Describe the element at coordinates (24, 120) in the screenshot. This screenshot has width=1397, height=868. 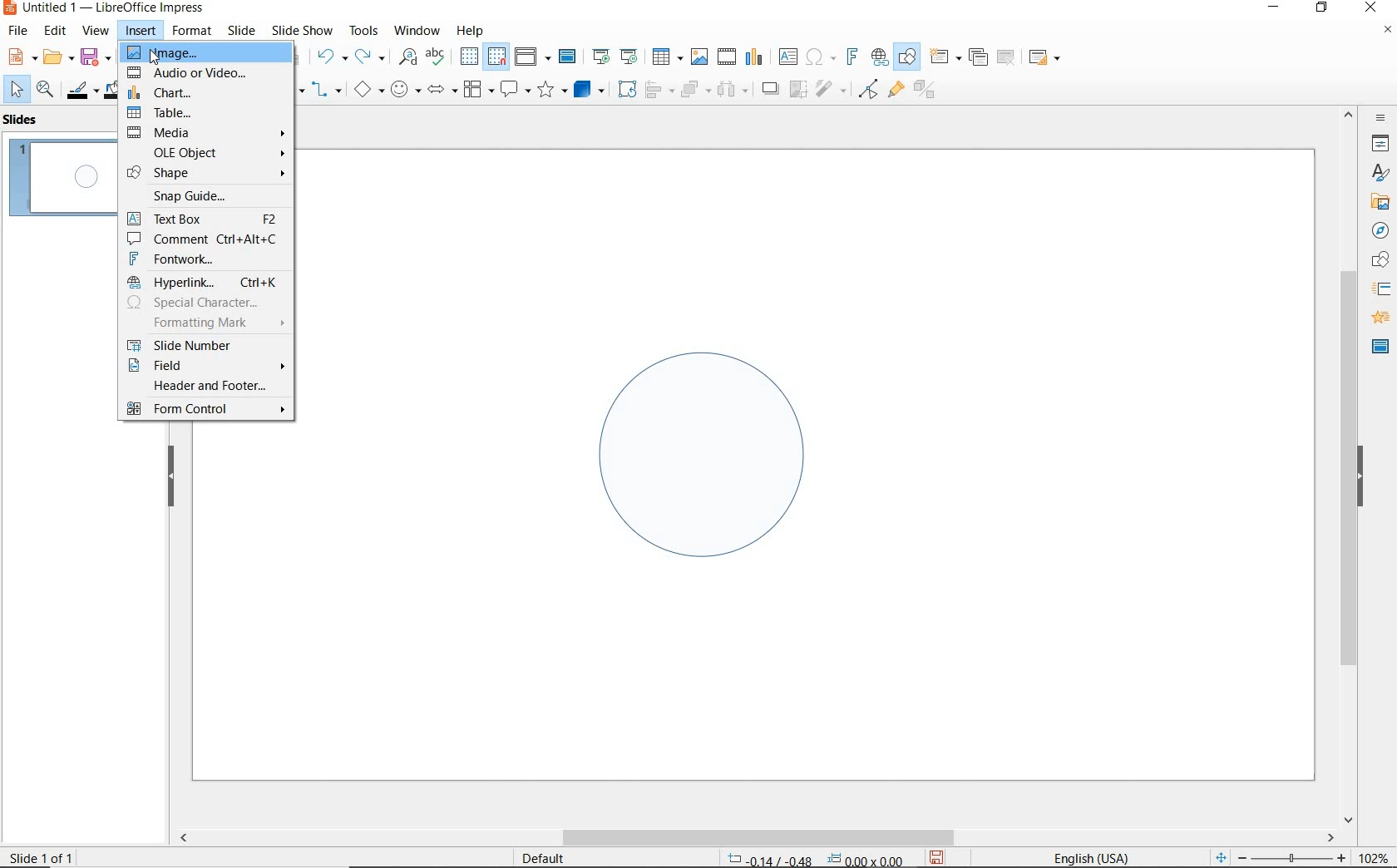
I see `slides` at that location.